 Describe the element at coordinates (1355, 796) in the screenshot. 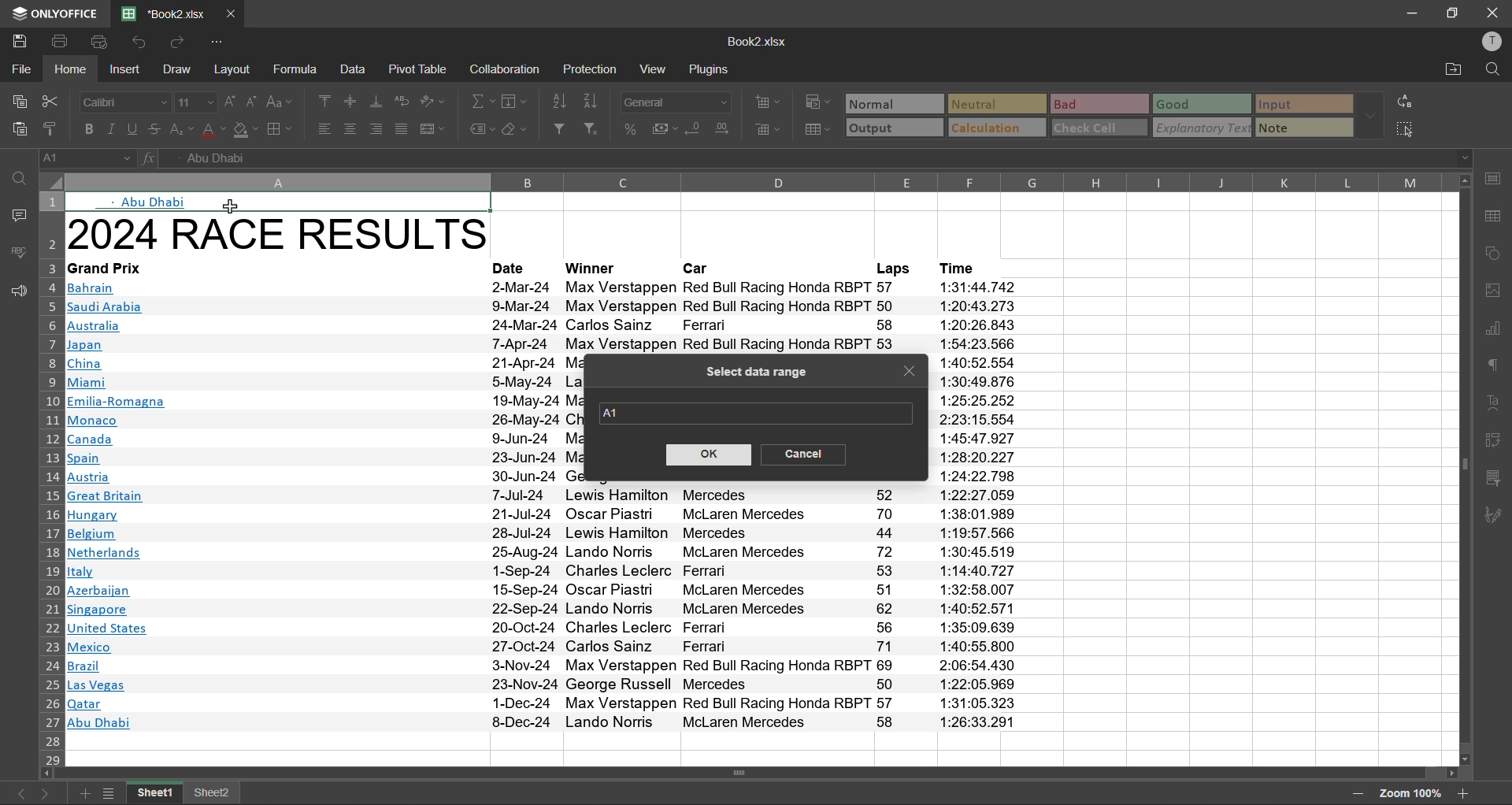

I see `zoom out` at that location.